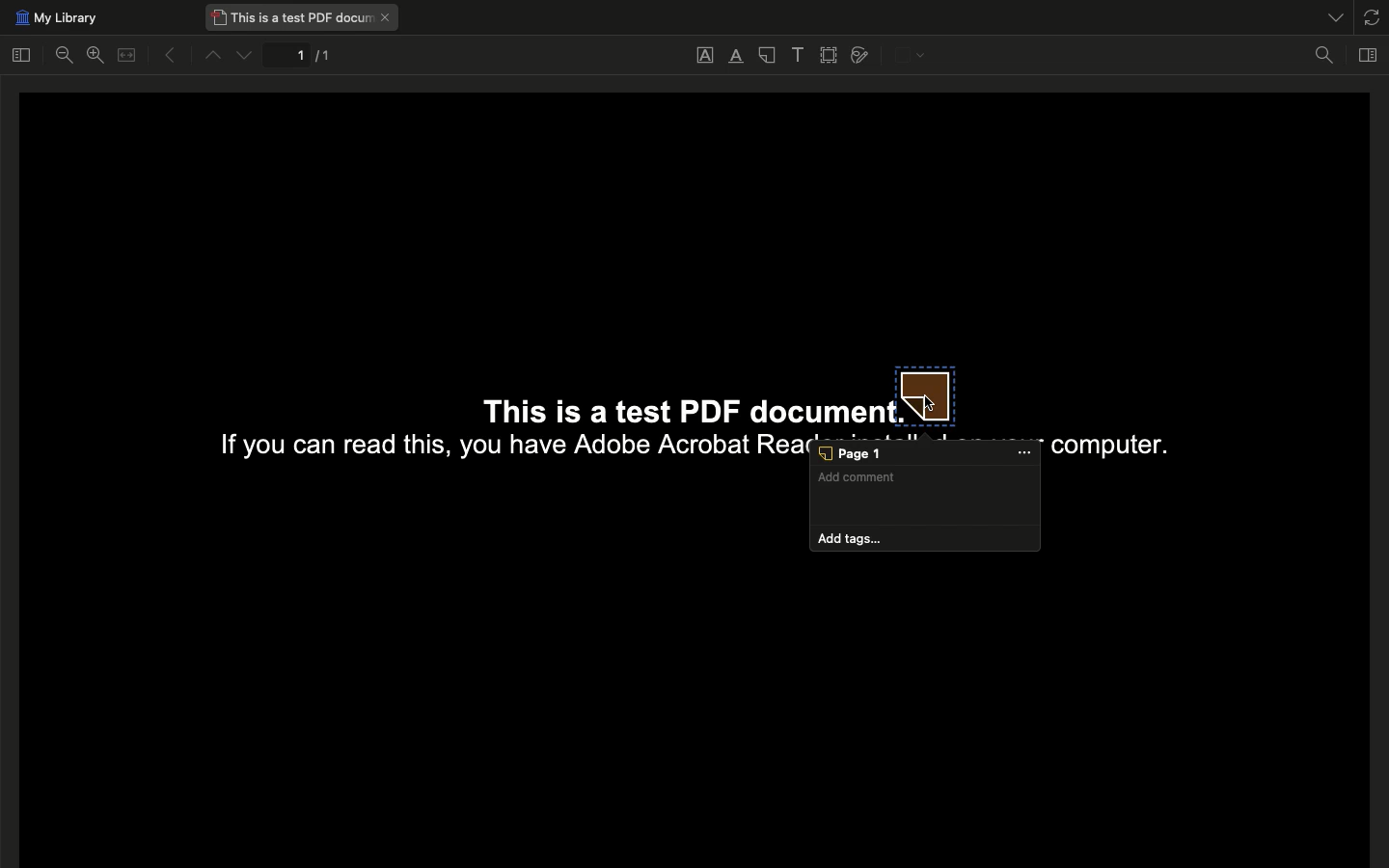  I want to click on Select area, so click(831, 56).